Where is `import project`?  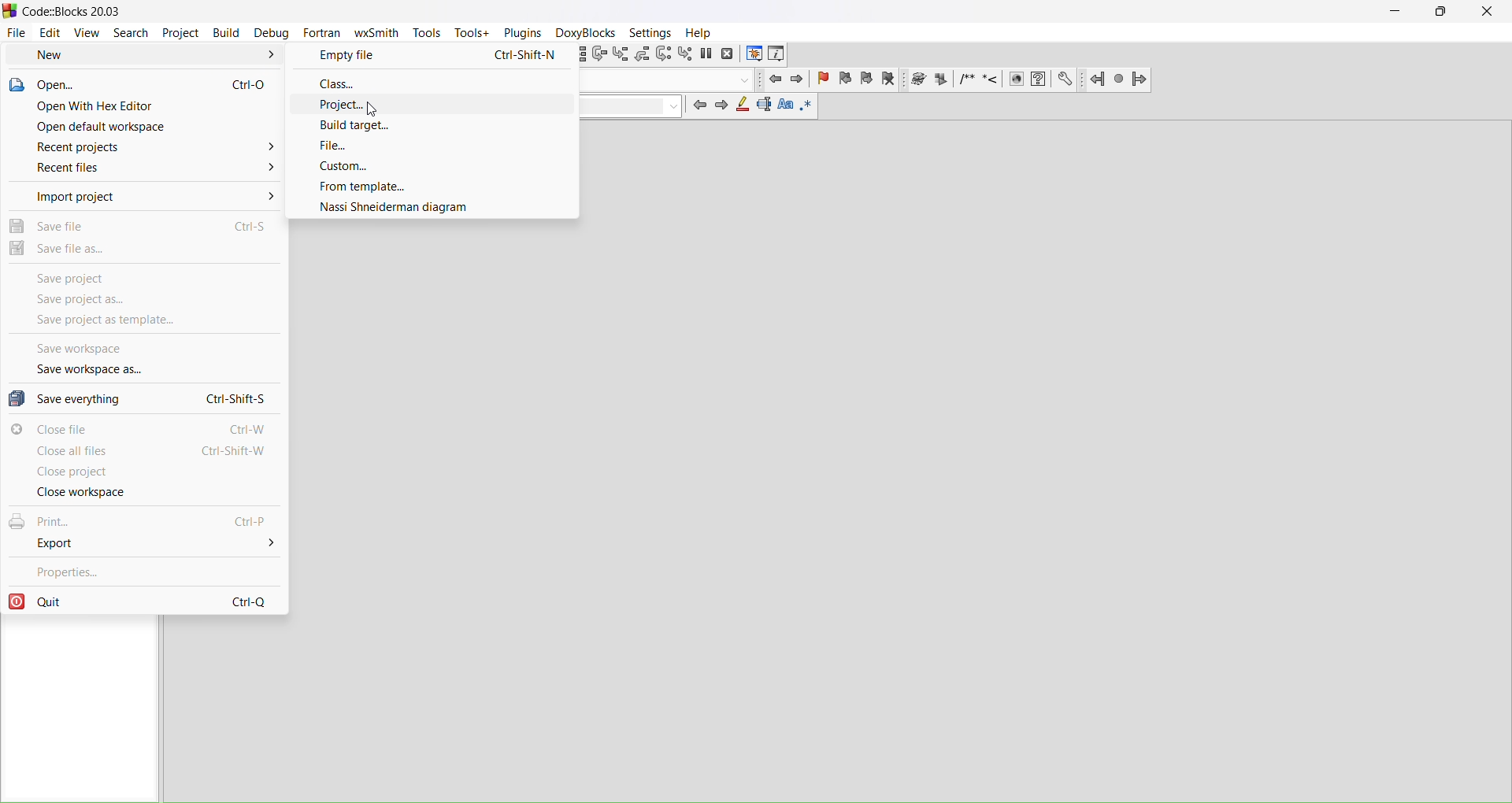 import project is located at coordinates (143, 194).